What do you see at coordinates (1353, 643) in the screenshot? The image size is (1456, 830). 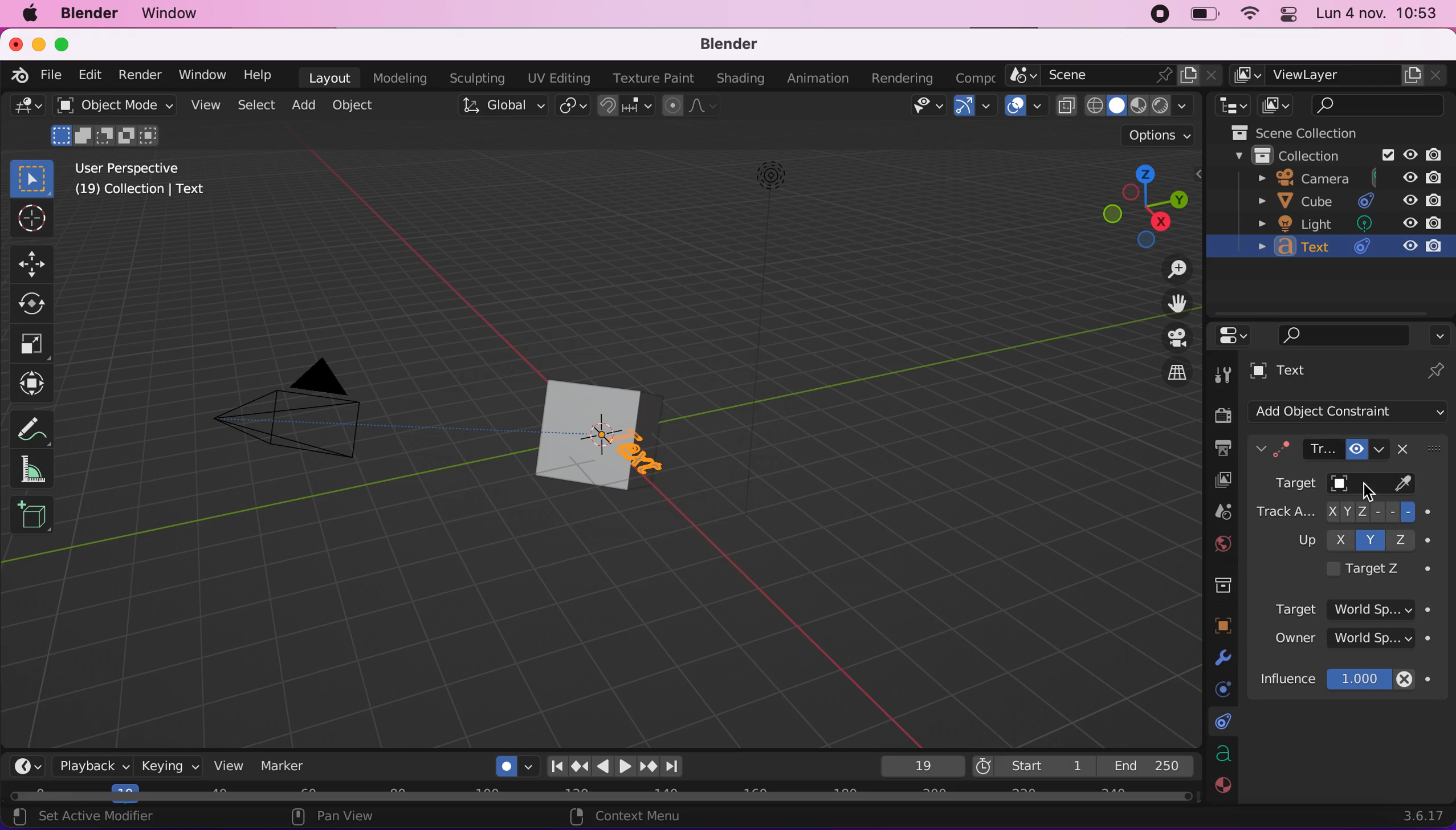 I see `owner` at bounding box center [1353, 643].